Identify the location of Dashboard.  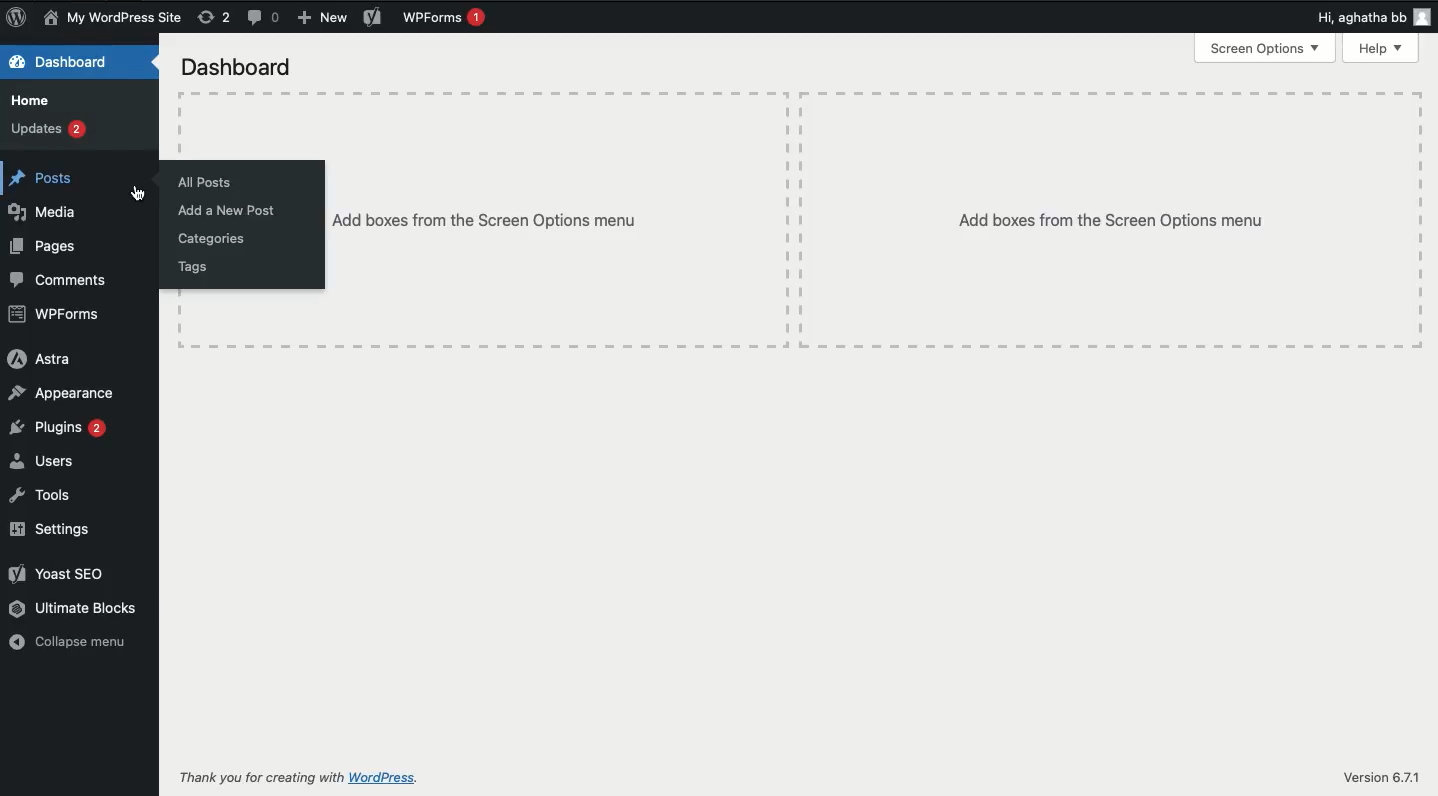
(70, 63).